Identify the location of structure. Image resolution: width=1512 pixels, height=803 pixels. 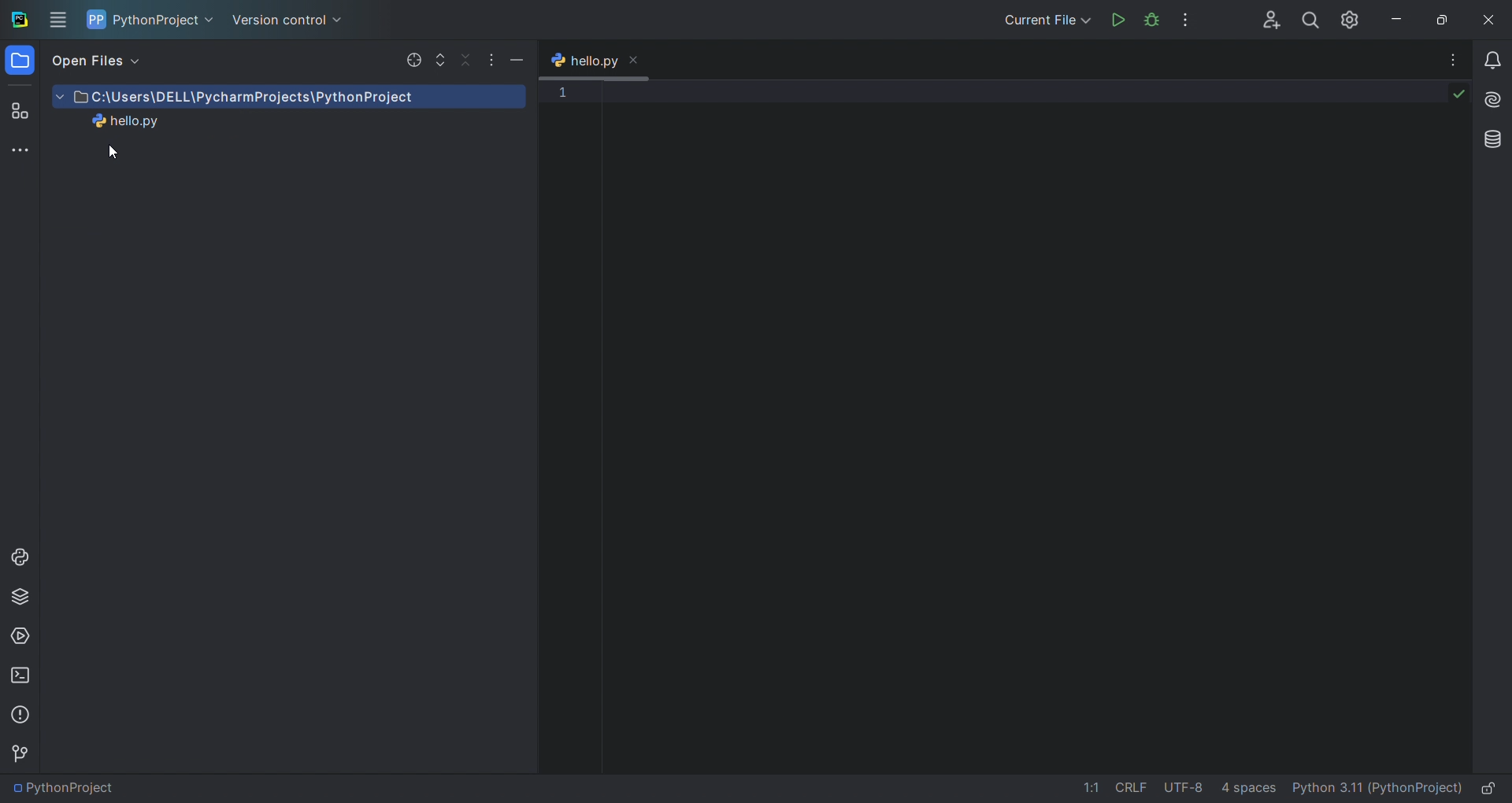
(17, 109).